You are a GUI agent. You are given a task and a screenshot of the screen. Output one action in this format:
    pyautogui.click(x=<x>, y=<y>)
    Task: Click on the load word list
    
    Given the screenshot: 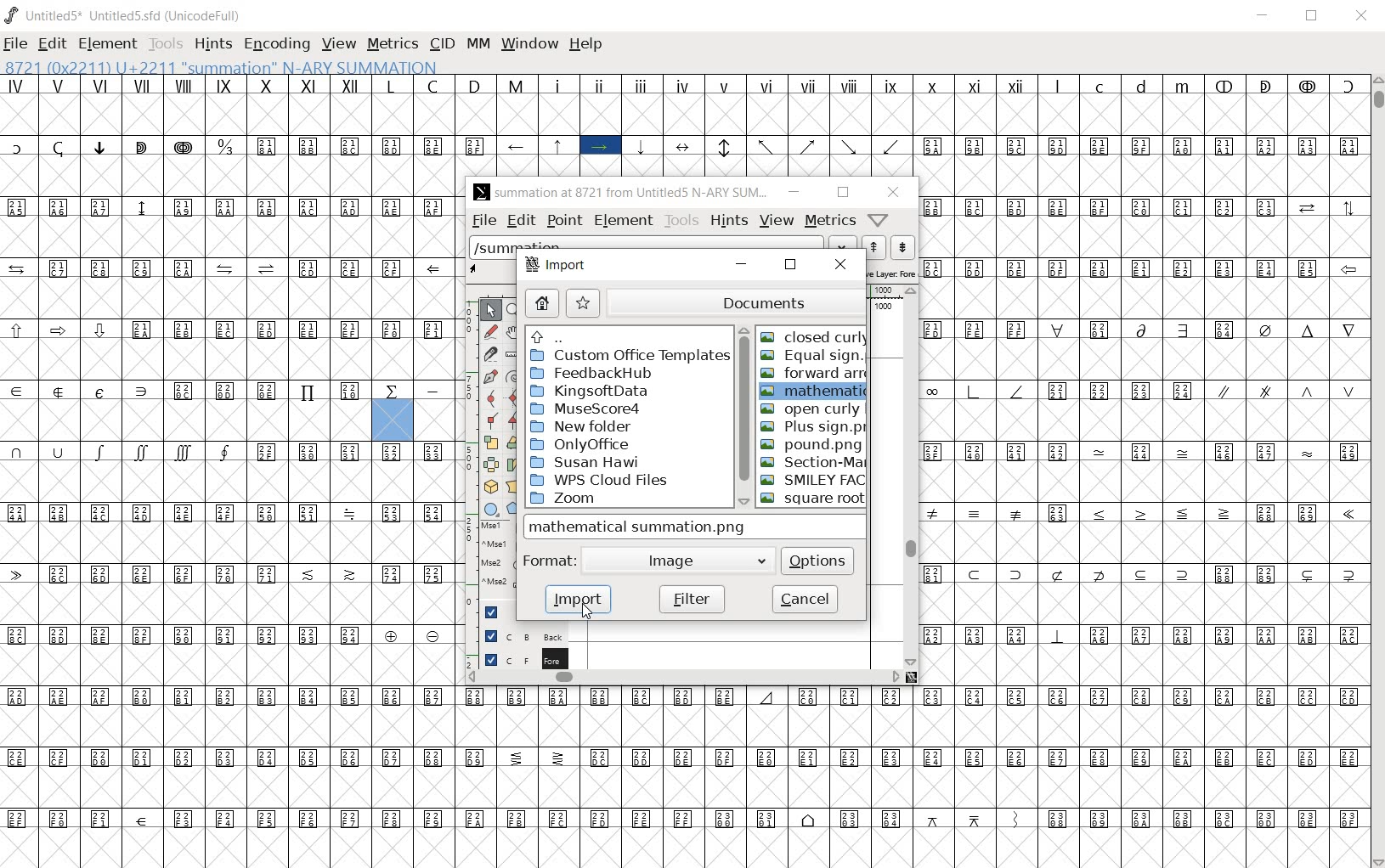 What is the action you would take?
    pyautogui.click(x=664, y=243)
    